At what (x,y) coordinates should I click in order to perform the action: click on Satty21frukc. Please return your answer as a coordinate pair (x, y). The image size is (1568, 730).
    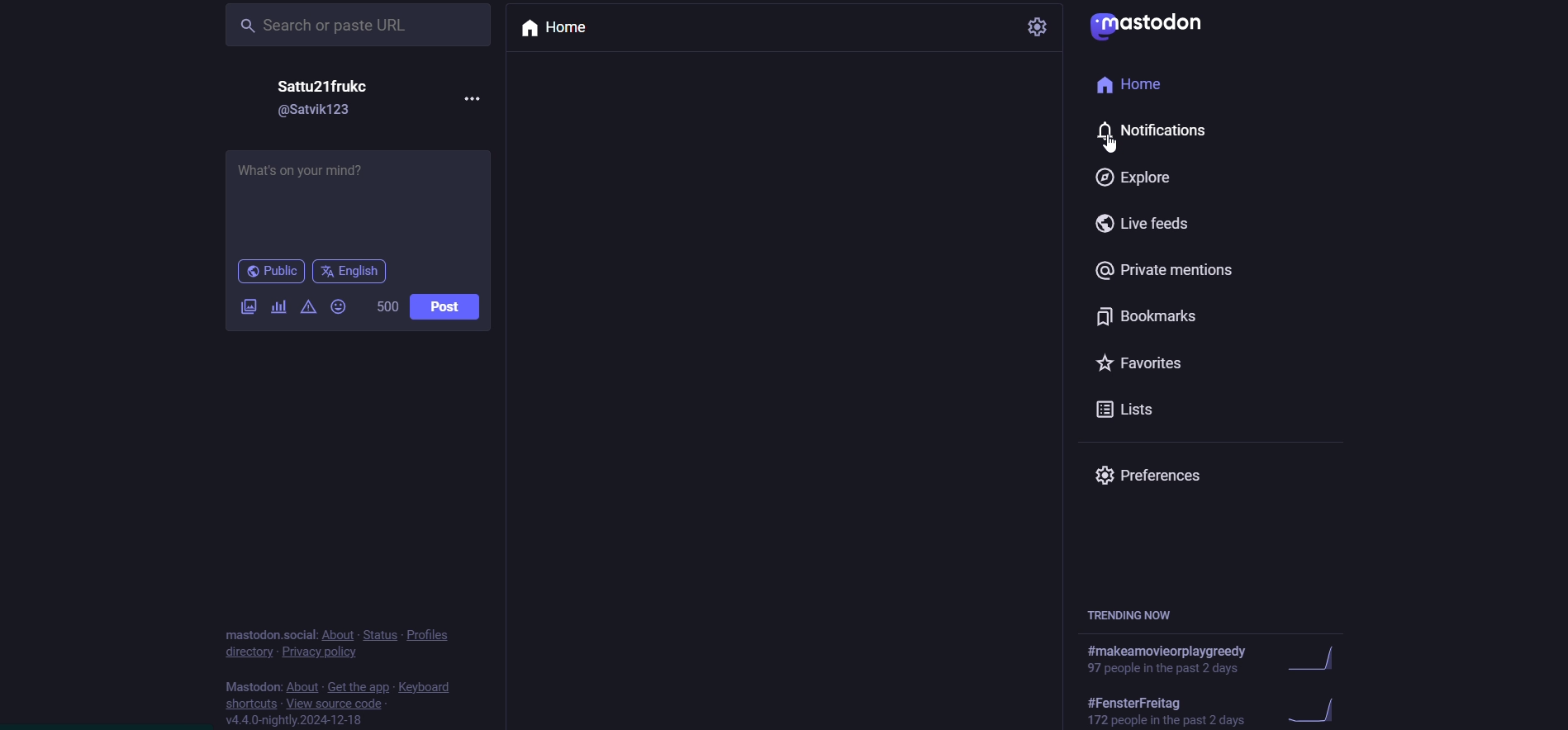
    Looking at the image, I should click on (323, 86).